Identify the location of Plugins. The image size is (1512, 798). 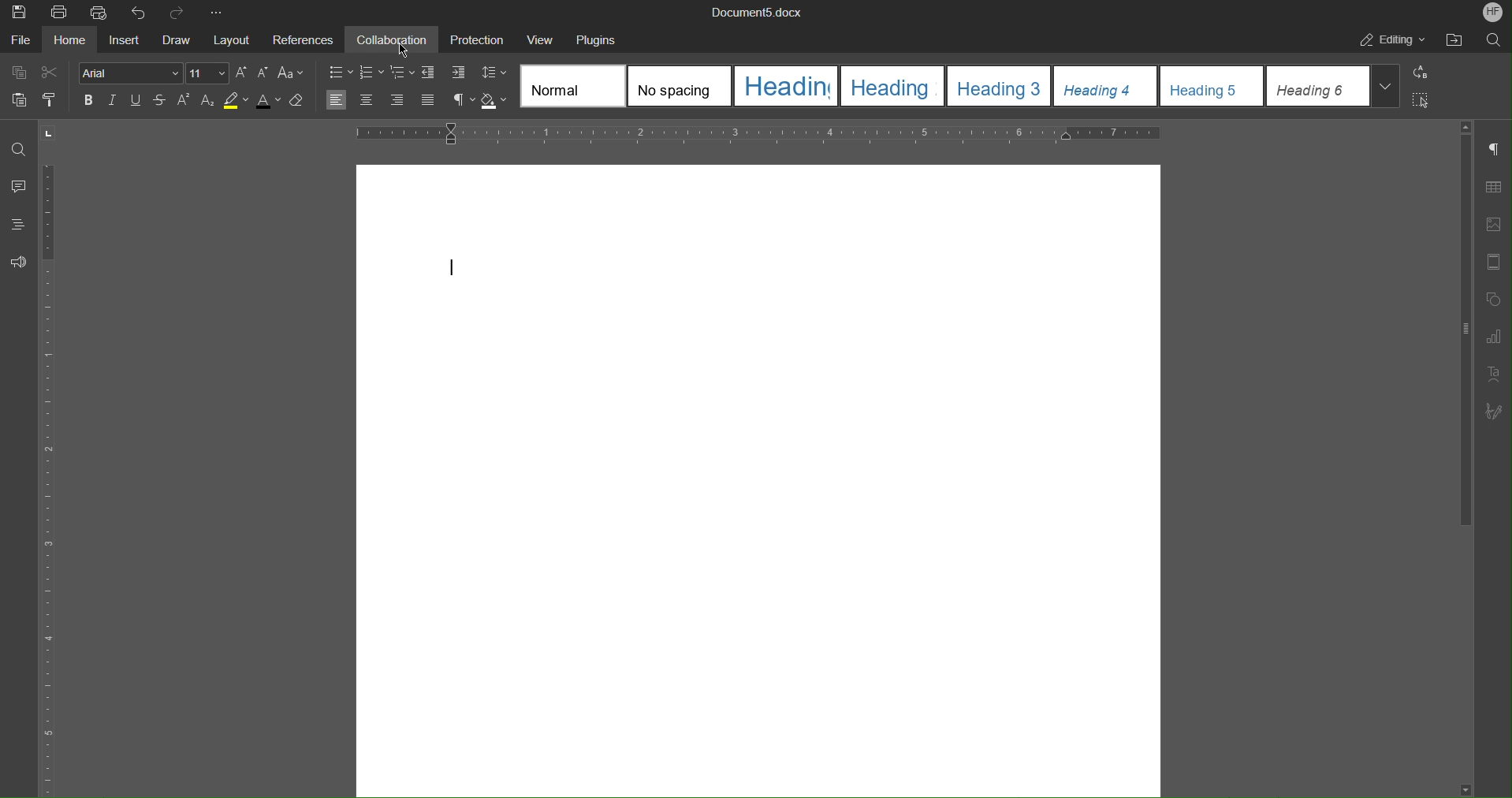
(602, 43).